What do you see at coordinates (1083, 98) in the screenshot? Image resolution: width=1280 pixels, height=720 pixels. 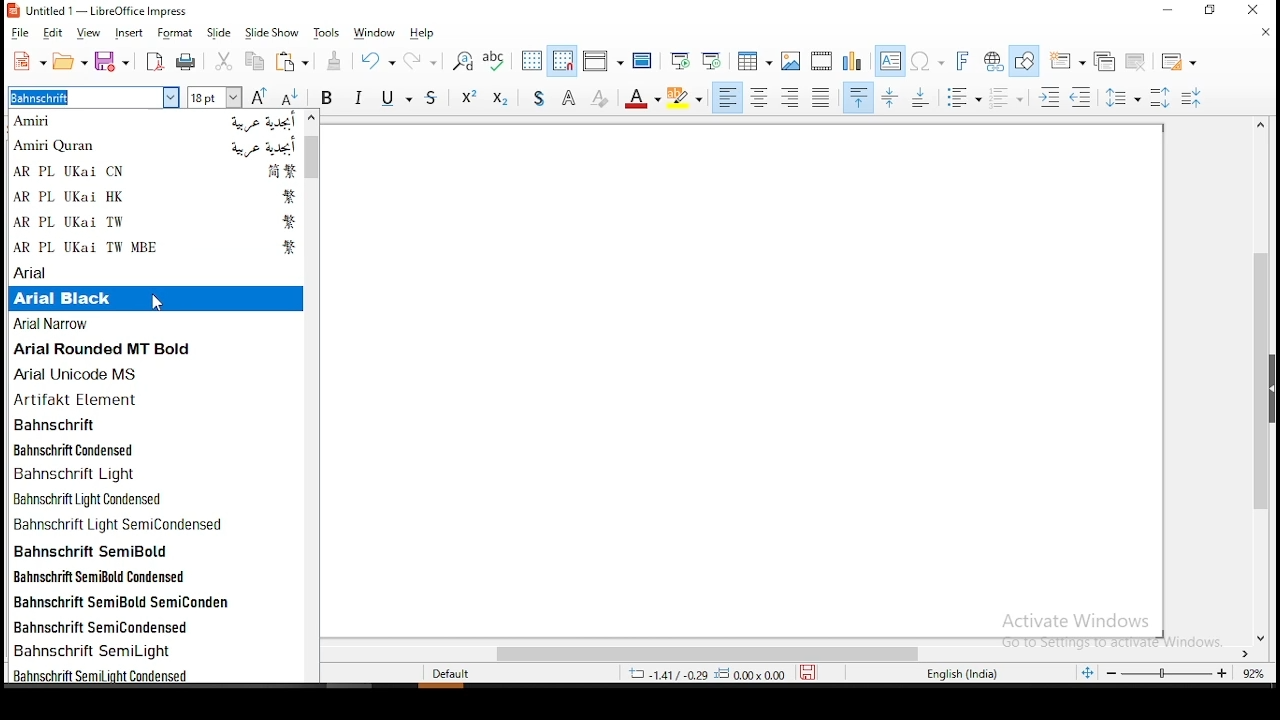 I see `decrease indent` at bounding box center [1083, 98].